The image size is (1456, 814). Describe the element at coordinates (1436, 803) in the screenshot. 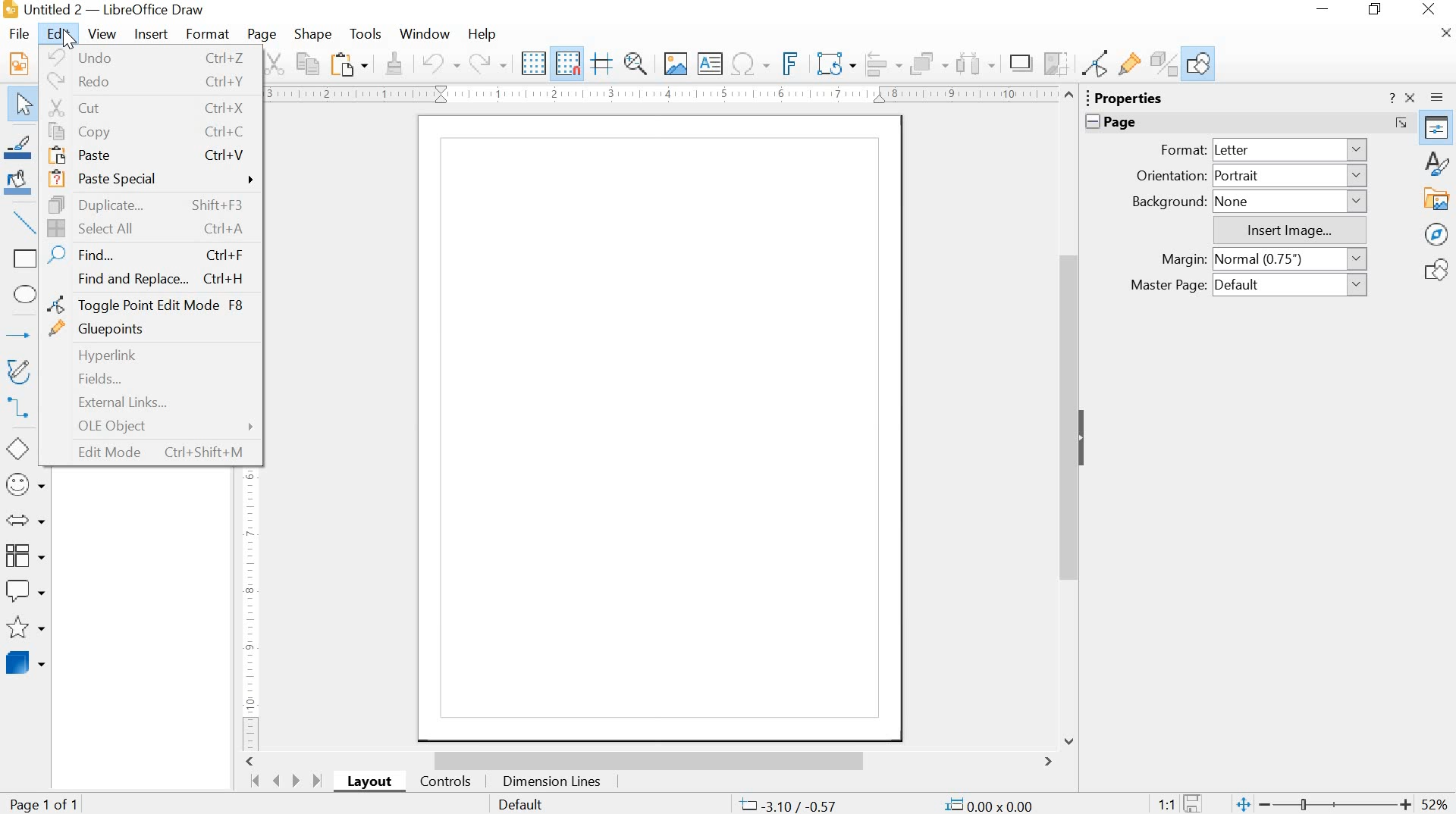

I see `zoom factor` at that location.